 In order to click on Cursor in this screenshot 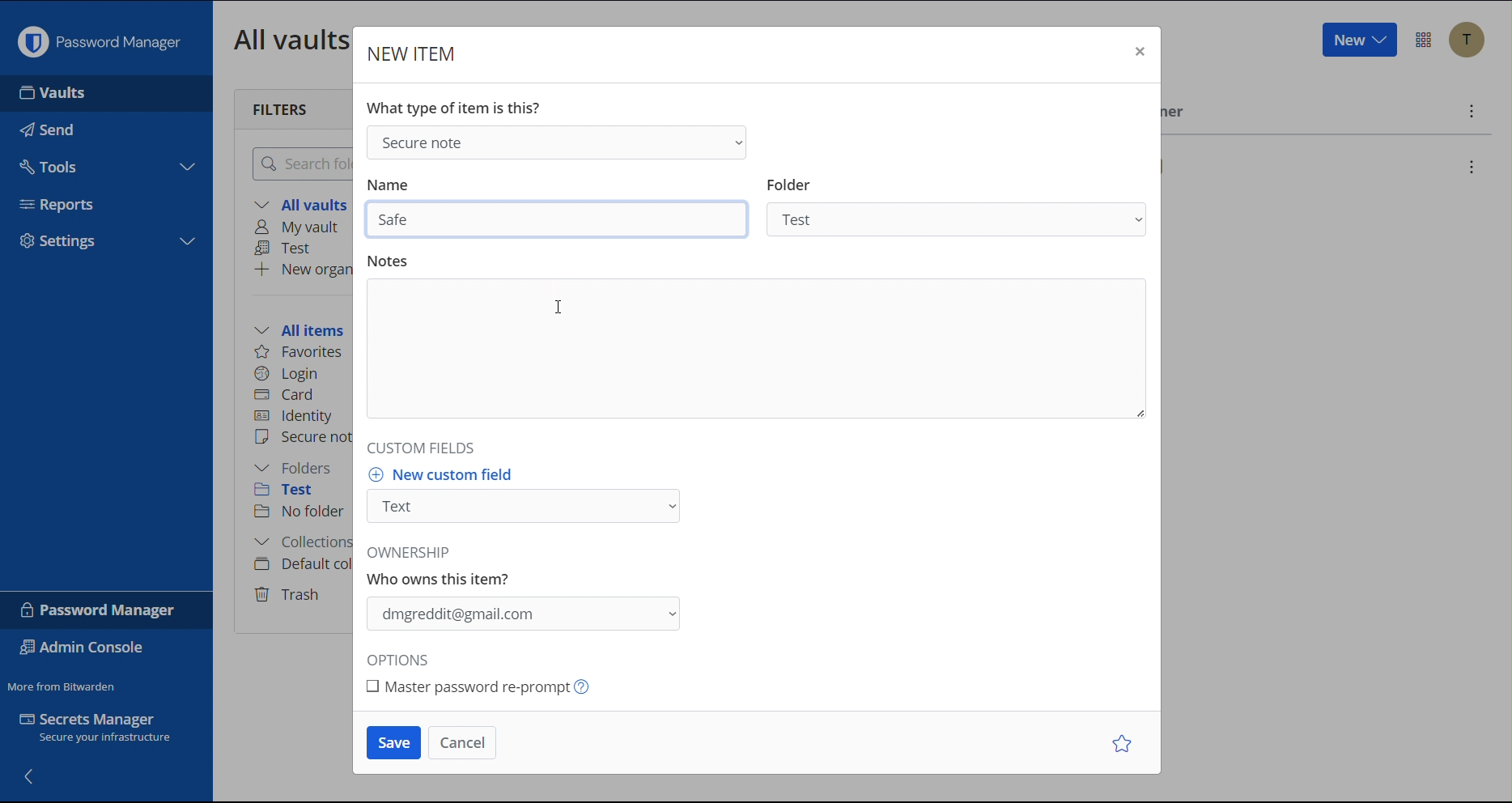, I will do `click(560, 306)`.